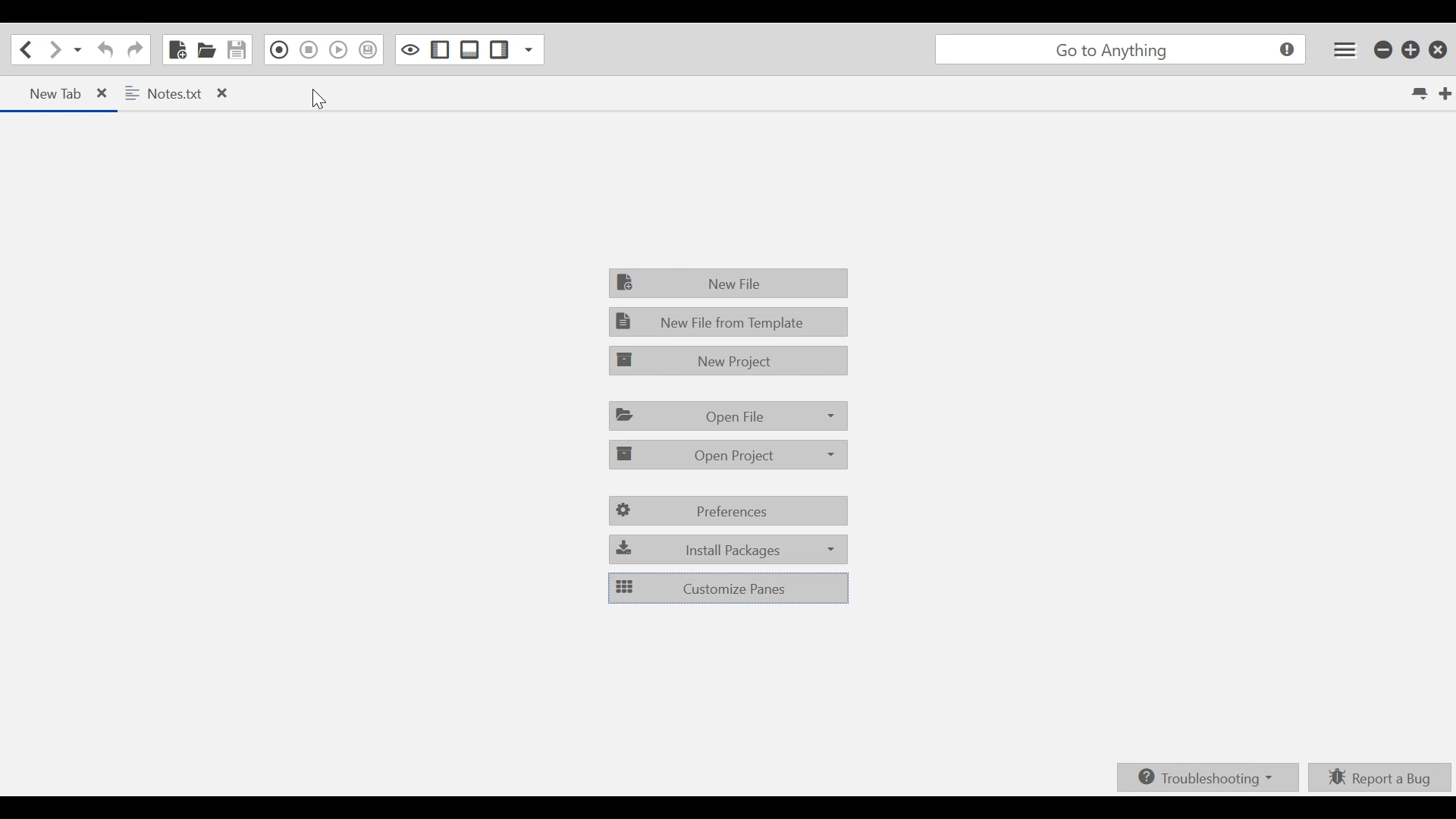 The width and height of the screenshot is (1456, 819). Describe the element at coordinates (1378, 776) in the screenshot. I see `Report a bug` at that location.